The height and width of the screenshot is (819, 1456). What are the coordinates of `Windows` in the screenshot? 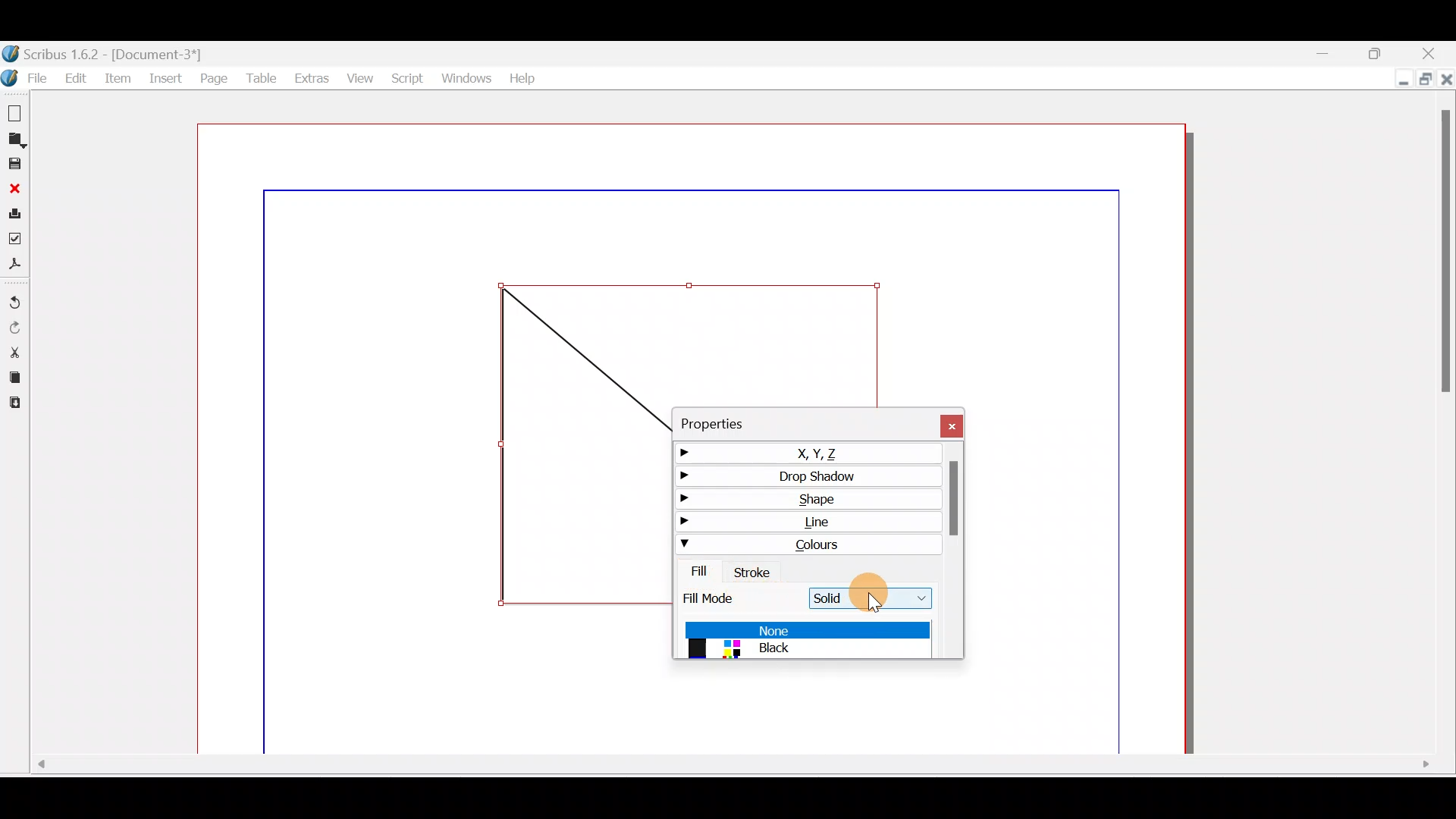 It's located at (464, 75).